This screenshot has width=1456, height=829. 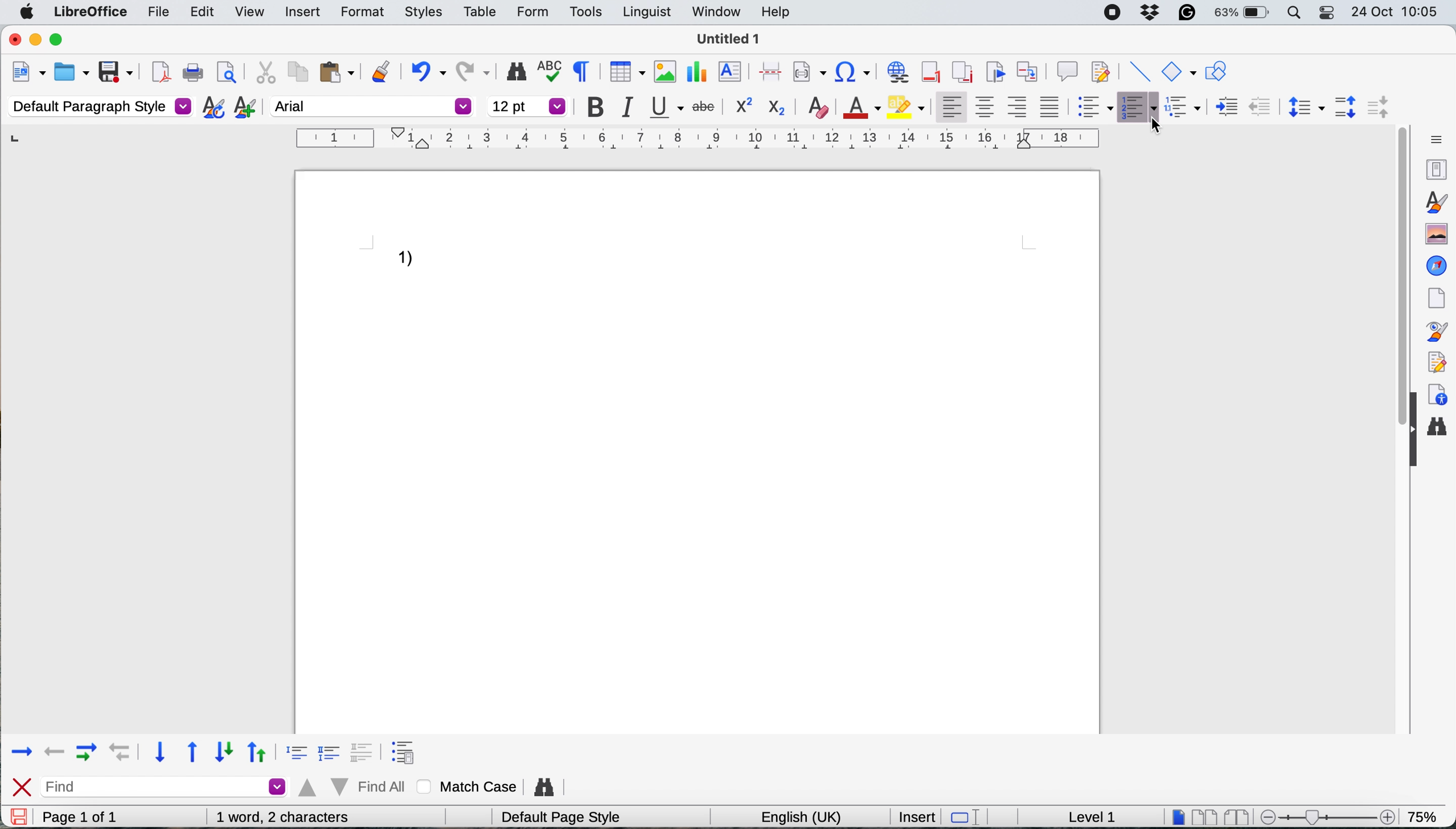 What do you see at coordinates (354, 787) in the screenshot?
I see `find all` at bounding box center [354, 787].